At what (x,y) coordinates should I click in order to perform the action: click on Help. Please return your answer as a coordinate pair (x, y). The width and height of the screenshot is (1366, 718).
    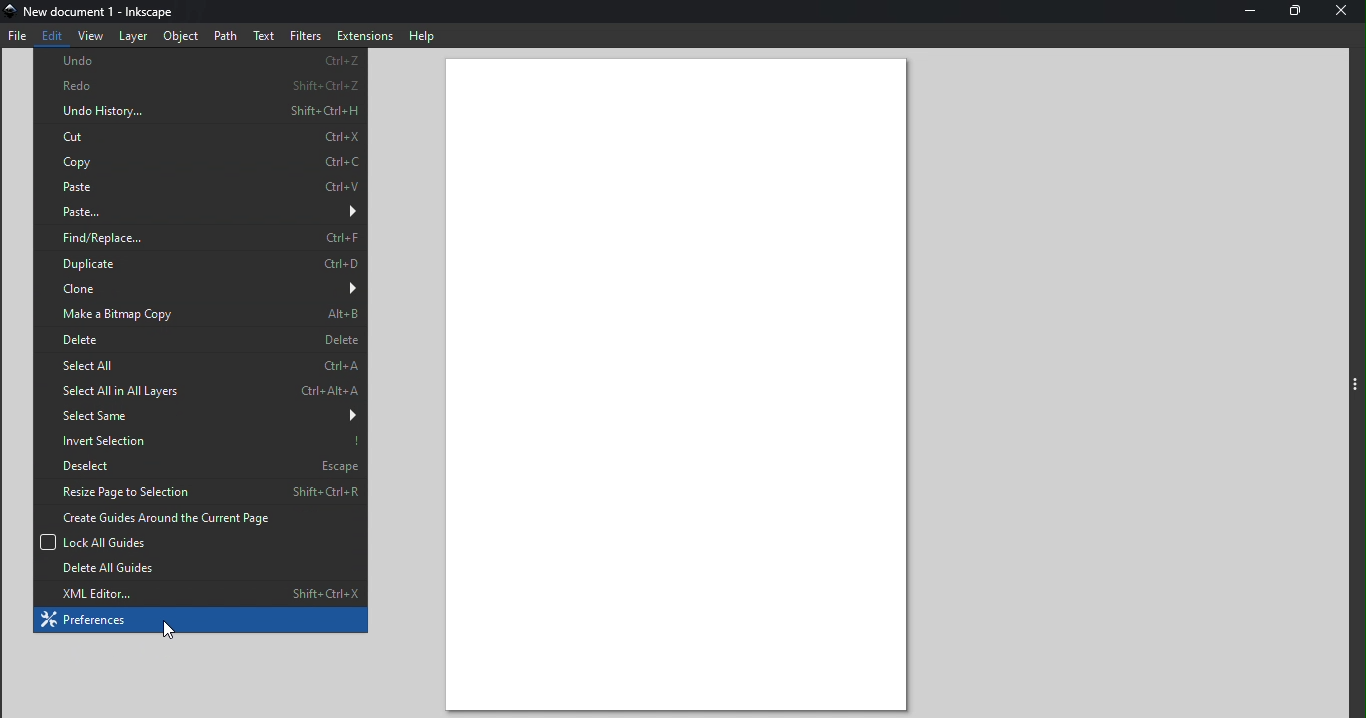
    Looking at the image, I should click on (427, 35).